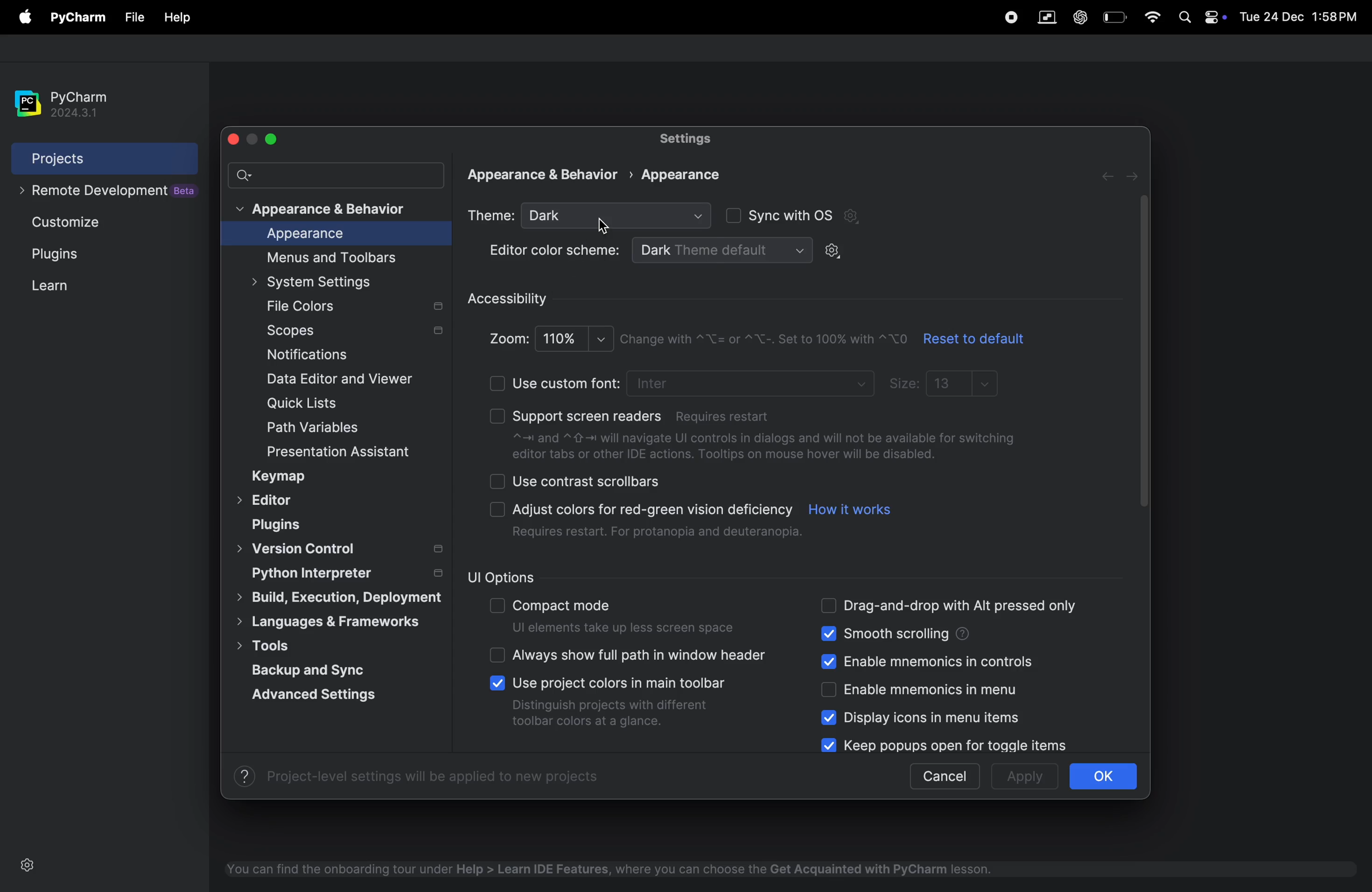 Image resolution: width=1372 pixels, height=892 pixels. I want to click on battery, so click(1114, 17).